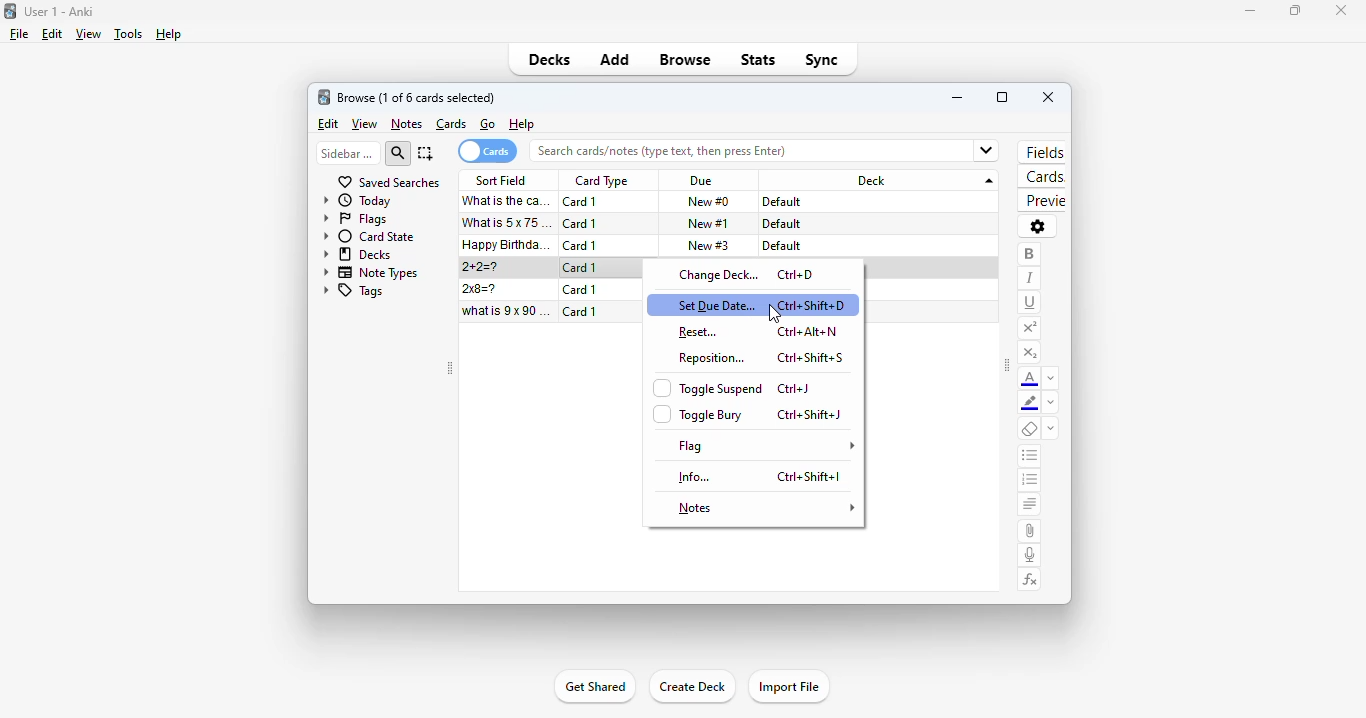 The width and height of the screenshot is (1366, 718). I want to click on new #3, so click(709, 245).